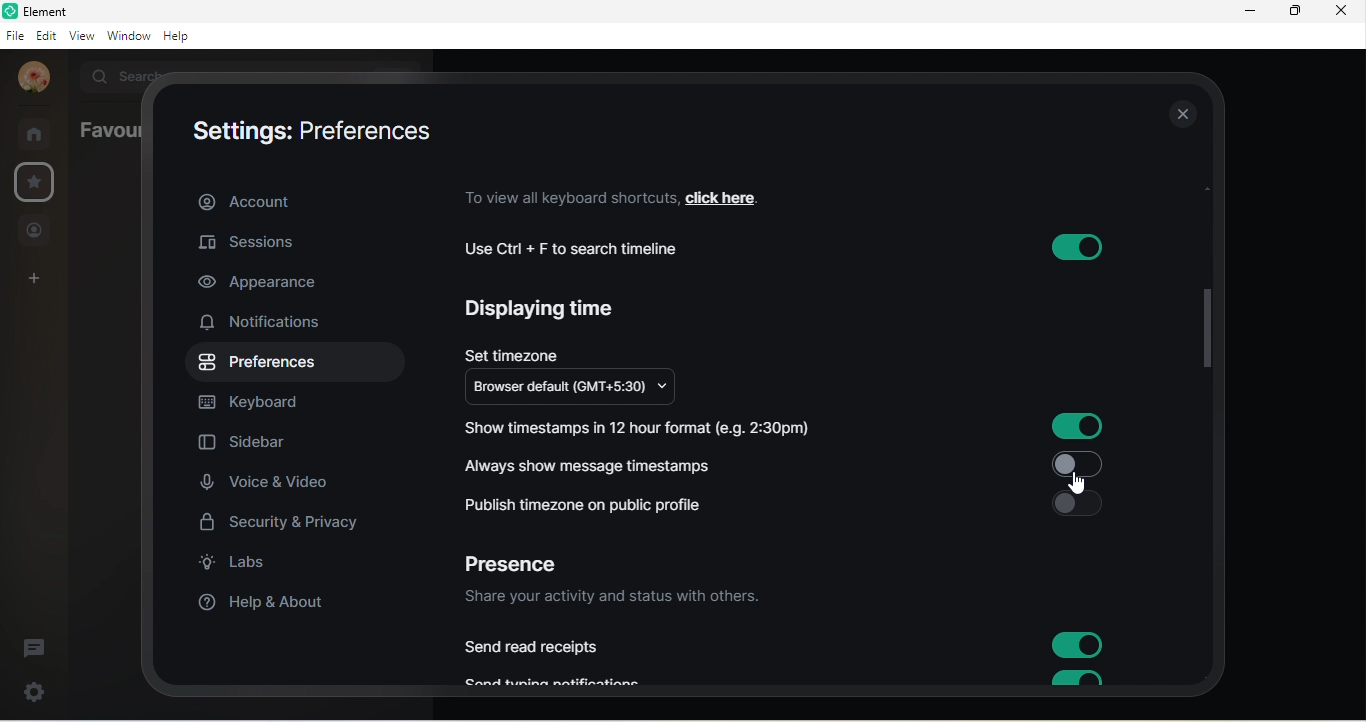  Describe the element at coordinates (513, 351) in the screenshot. I see `set timezone` at that location.